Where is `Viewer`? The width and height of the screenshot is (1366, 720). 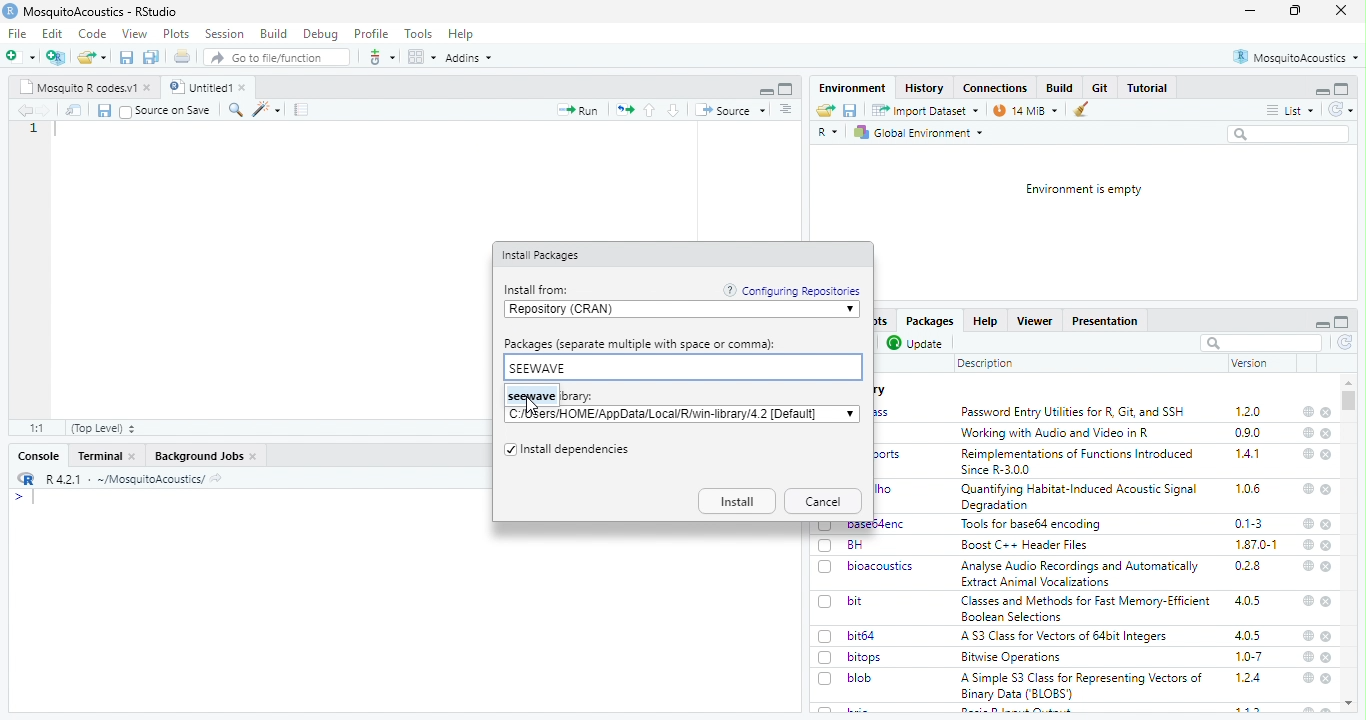
Viewer is located at coordinates (1034, 321).